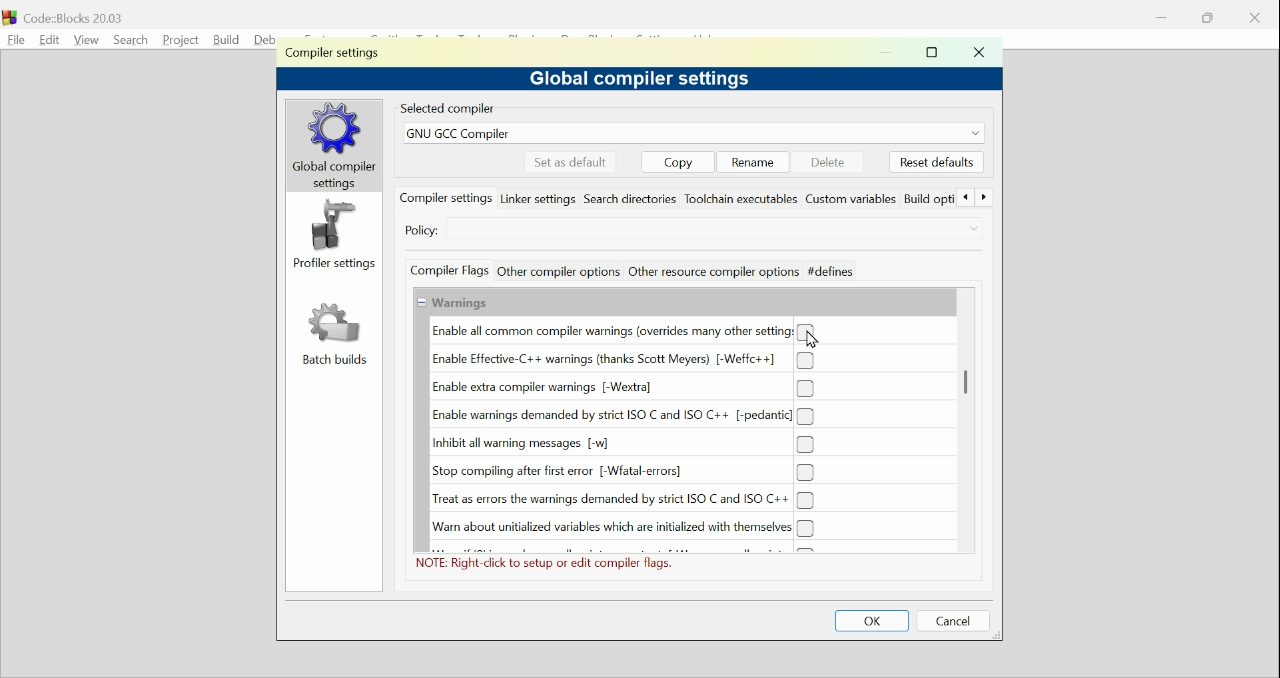  I want to click on copy, so click(678, 161).